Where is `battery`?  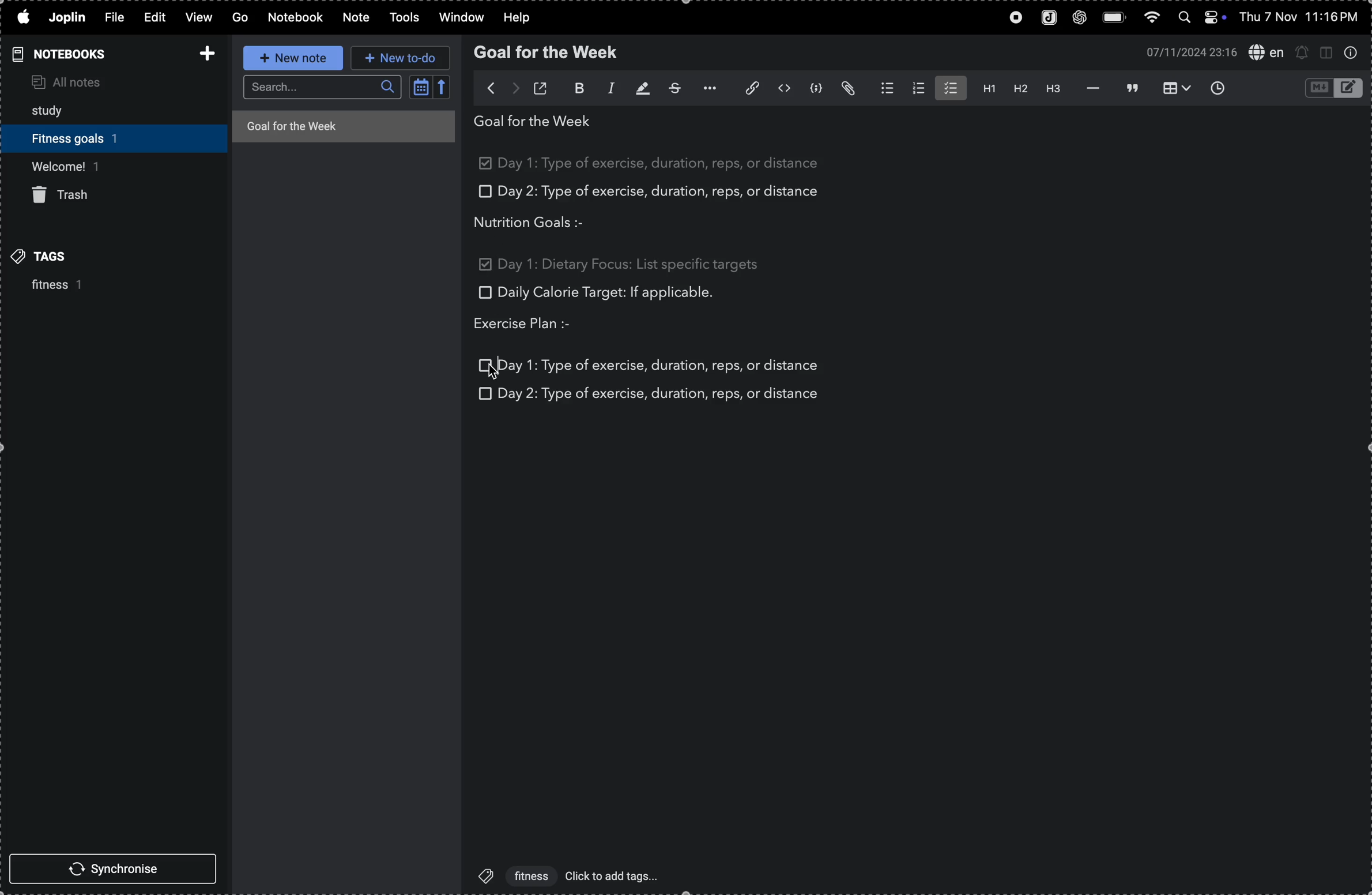 battery is located at coordinates (1113, 16).